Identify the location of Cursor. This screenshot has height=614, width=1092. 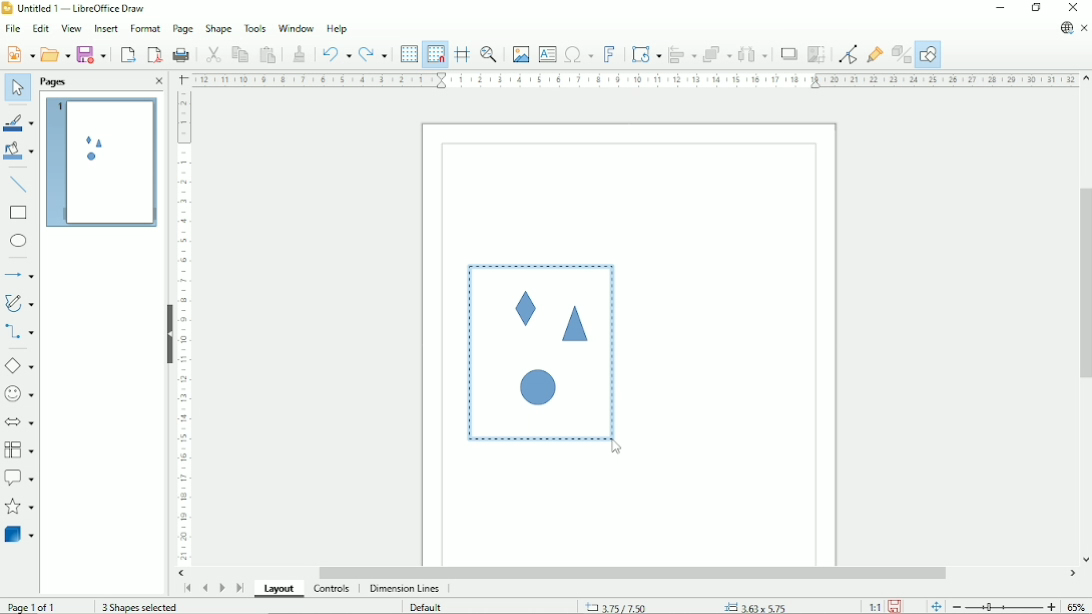
(616, 450).